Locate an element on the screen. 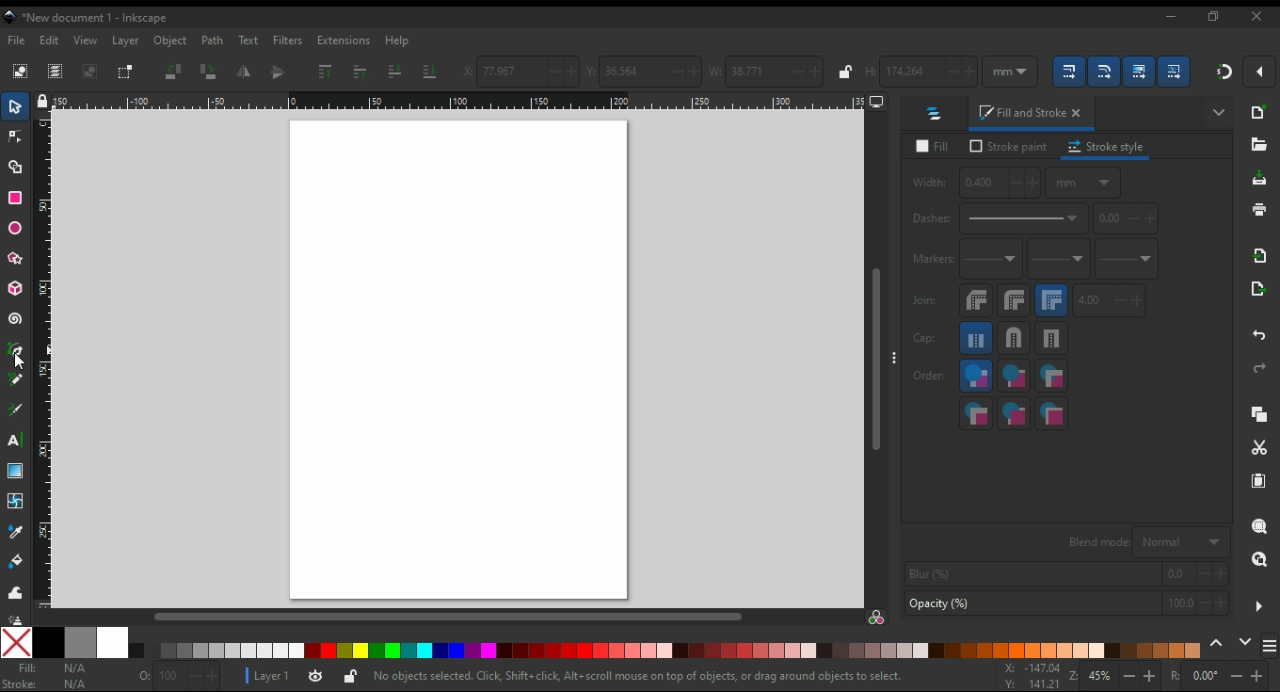  raise to top is located at coordinates (327, 72).